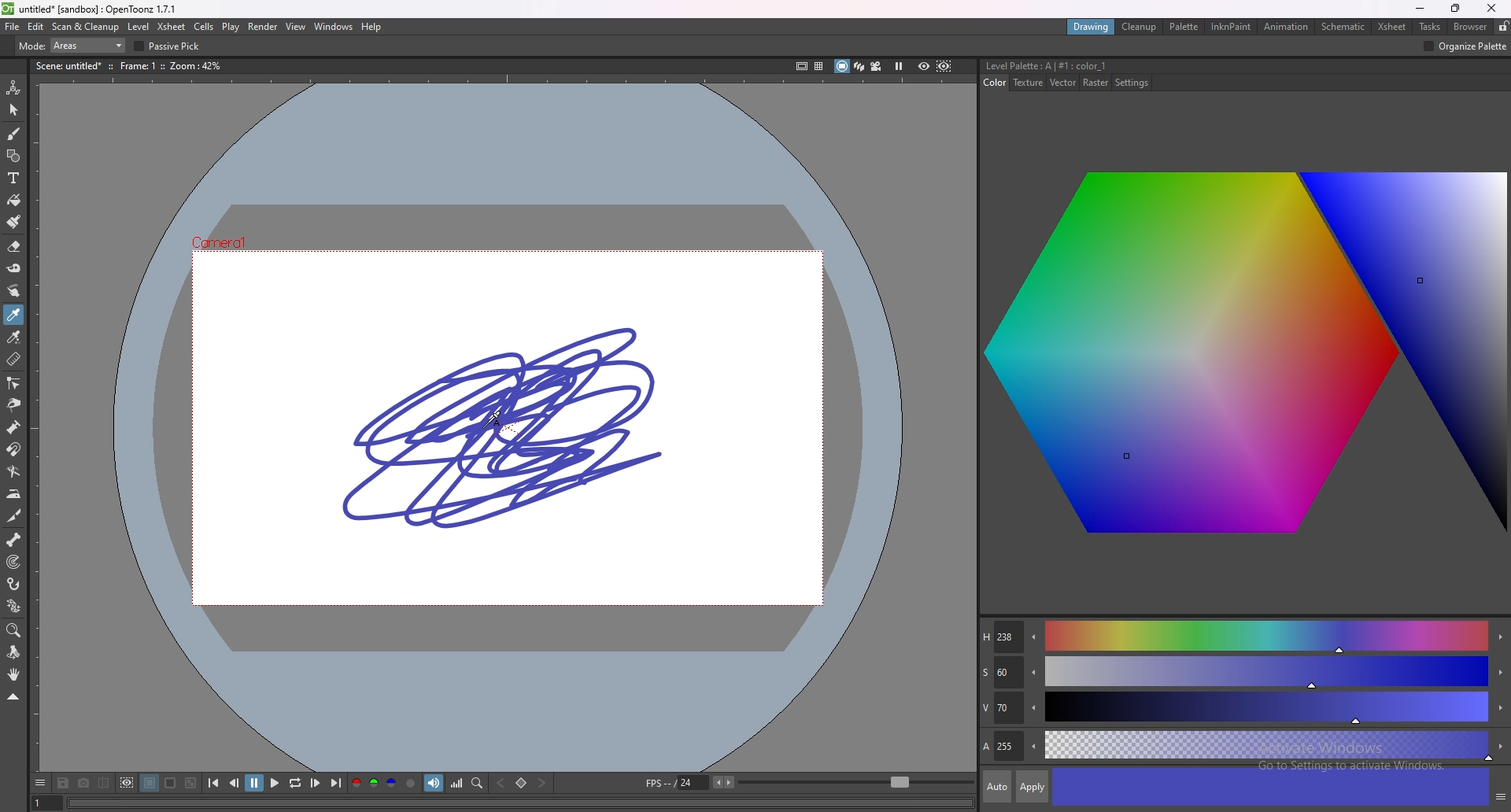 This screenshot has height=812, width=1511. What do you see at coordinates (1197, 45) in the screenshot?
I see `cap` at bounding box center [1197, 45].